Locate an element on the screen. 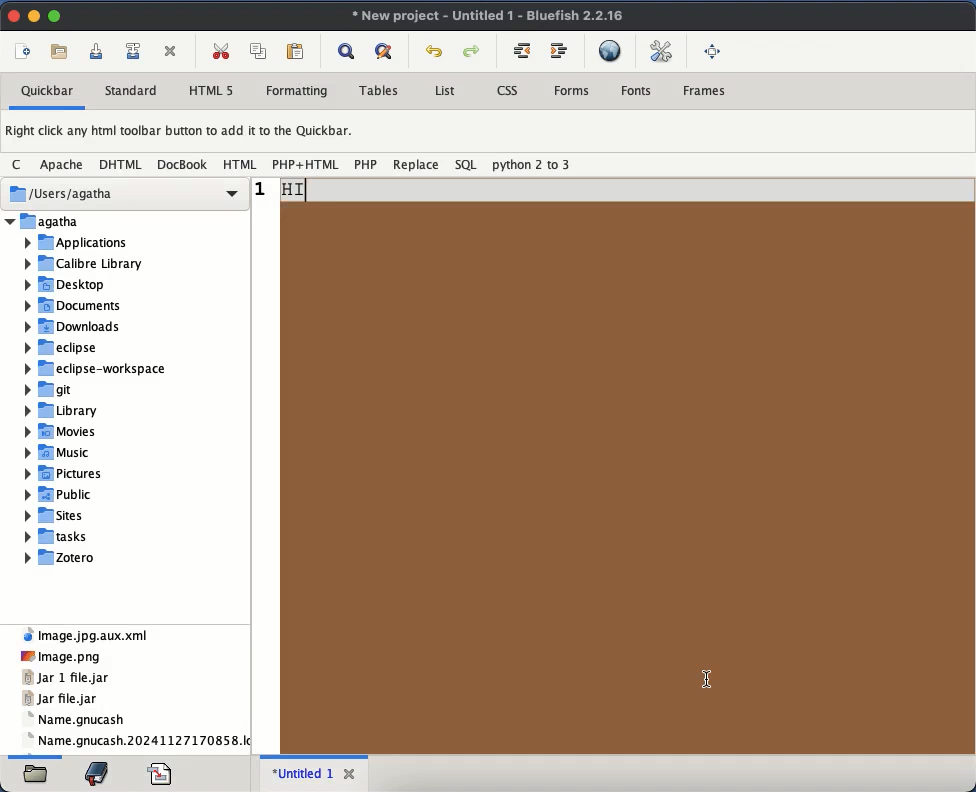 The width and height of the screenshot is (976, 792). sql is located at coordinates (468, 167).